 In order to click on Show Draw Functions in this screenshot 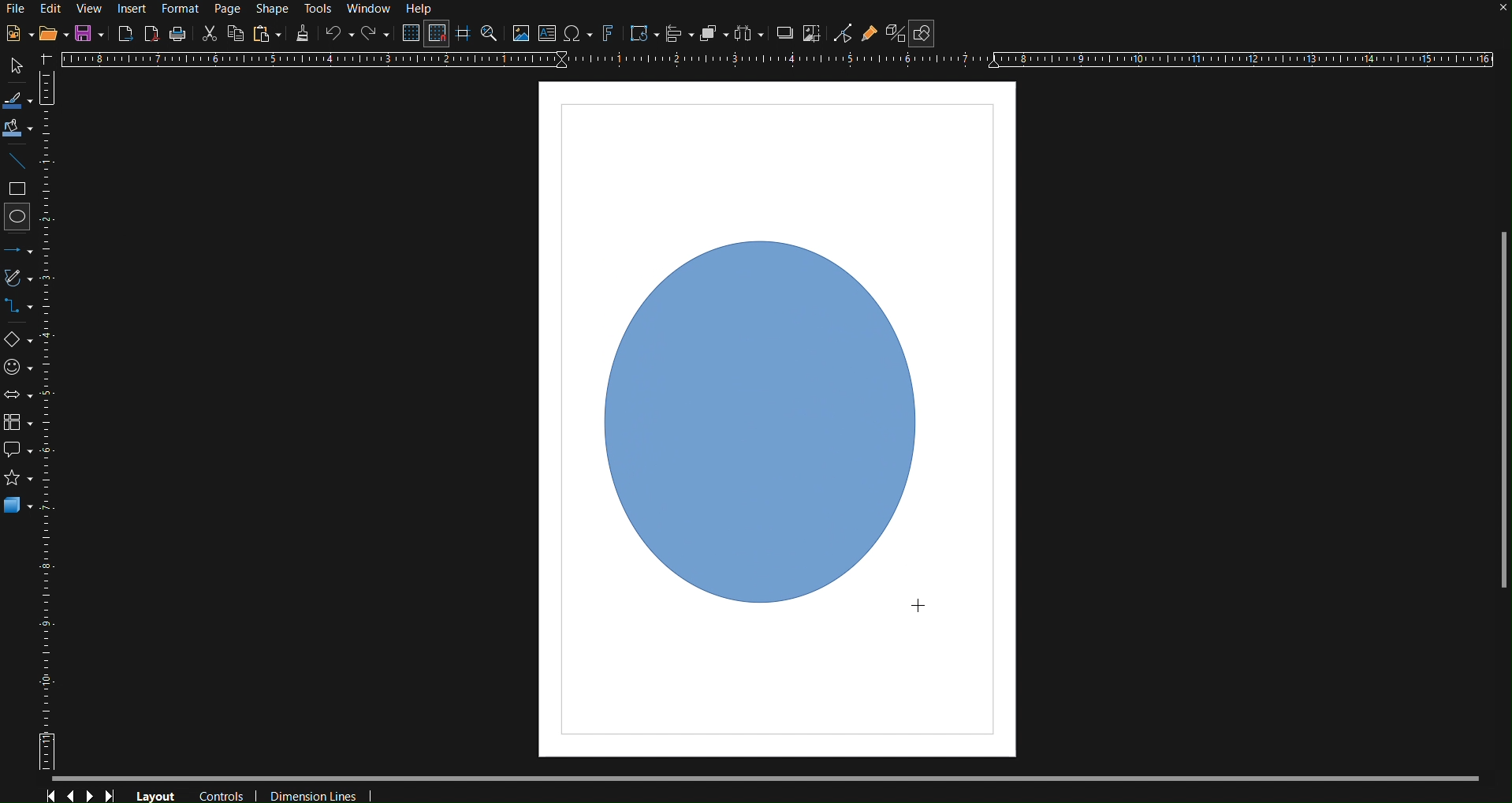, I will do `click(921, 34)`.